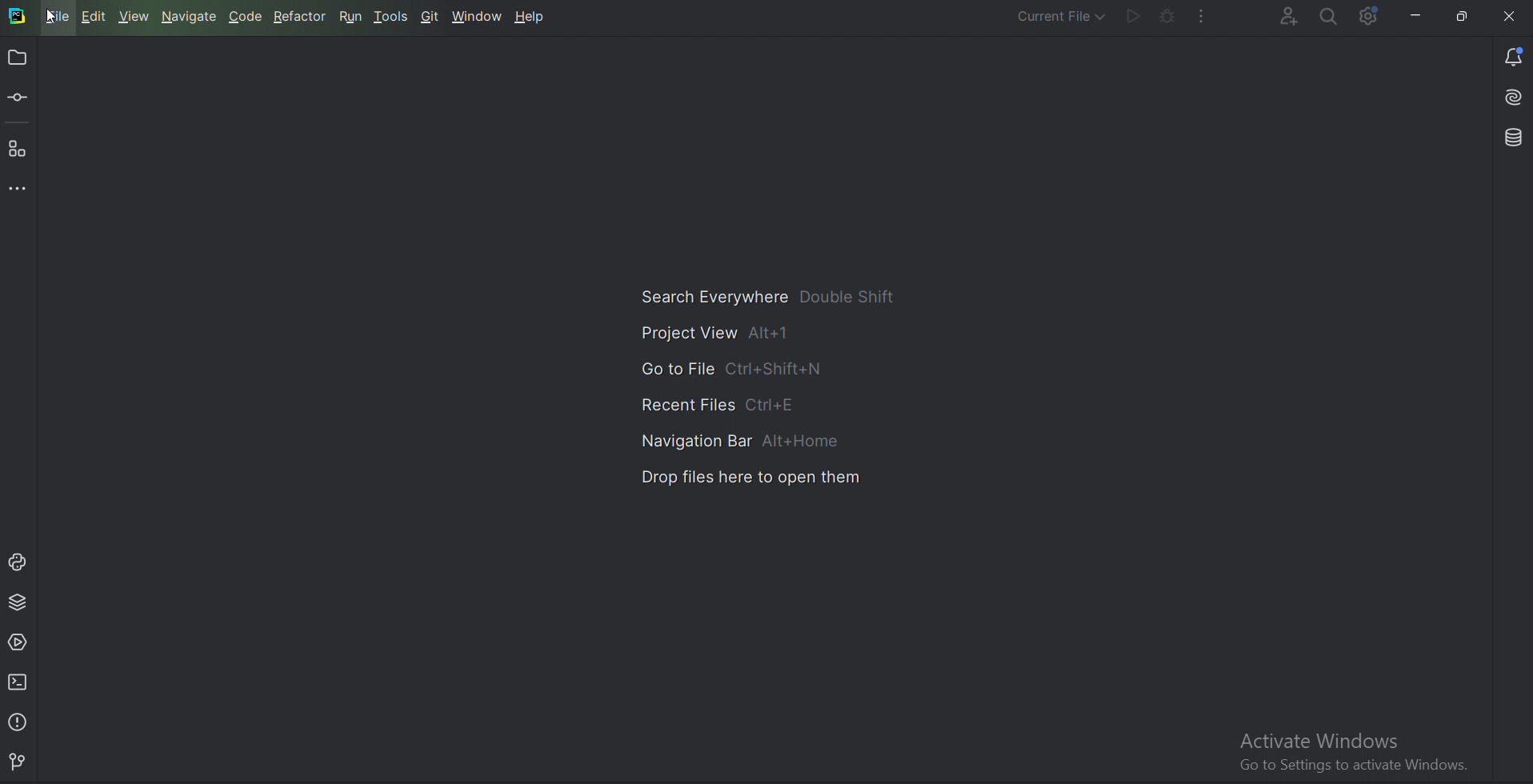 Image resolution: width=1533 pixels, height=784 pixels. What do you see at coordinates (20, 642) in the screenshot?
I see `Services` at bounding box center [20, 642].